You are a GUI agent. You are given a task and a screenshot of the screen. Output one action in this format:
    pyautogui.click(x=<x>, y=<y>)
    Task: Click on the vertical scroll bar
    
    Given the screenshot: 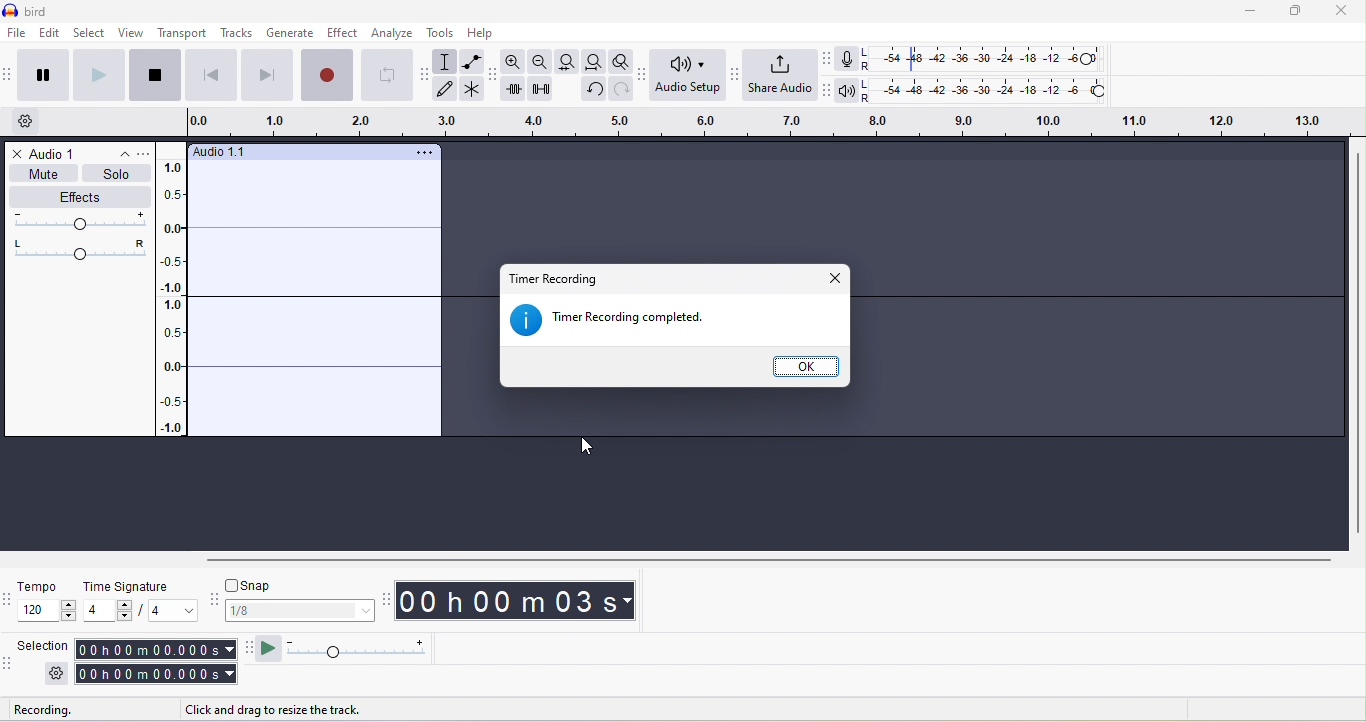 What is the action you would take?
    pyautogui.click(x=1356, y=341)
    